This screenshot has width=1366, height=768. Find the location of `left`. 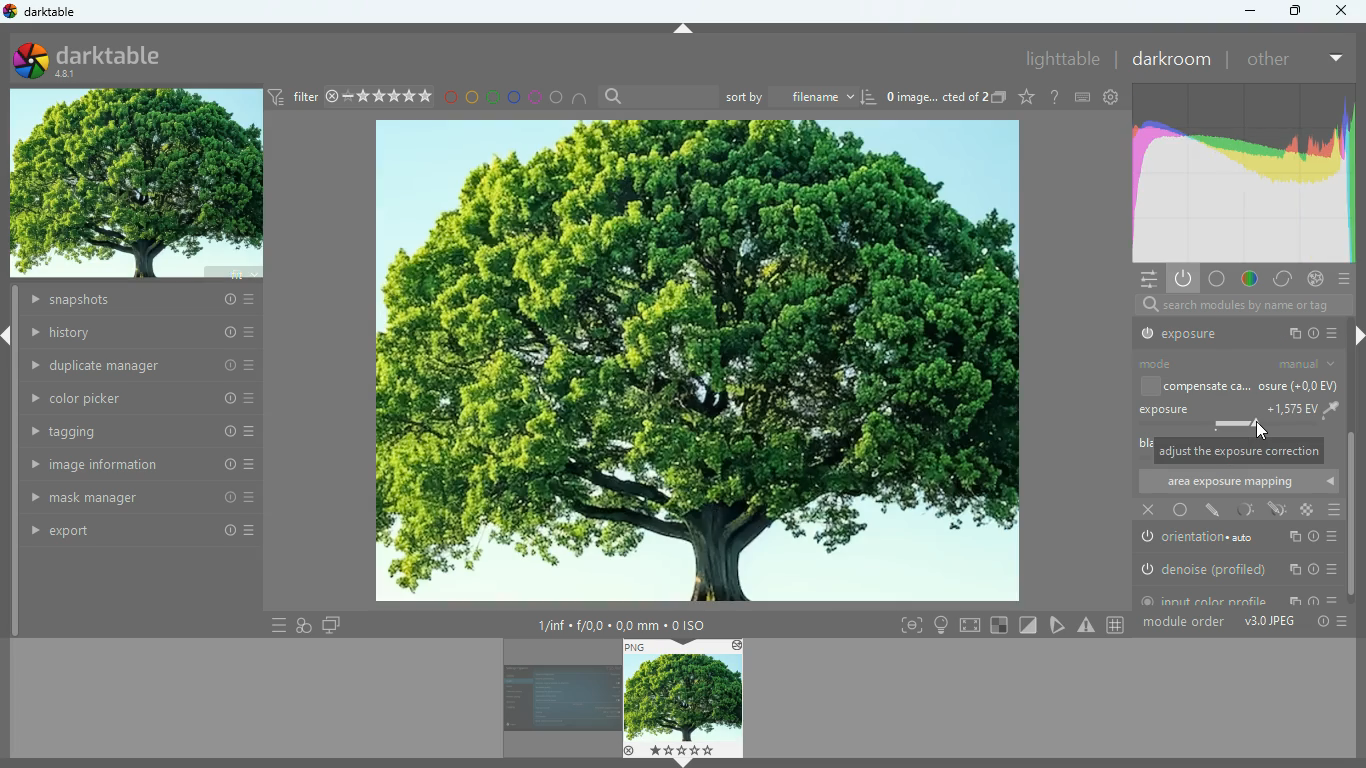

left is located at coordinates (9, 335).